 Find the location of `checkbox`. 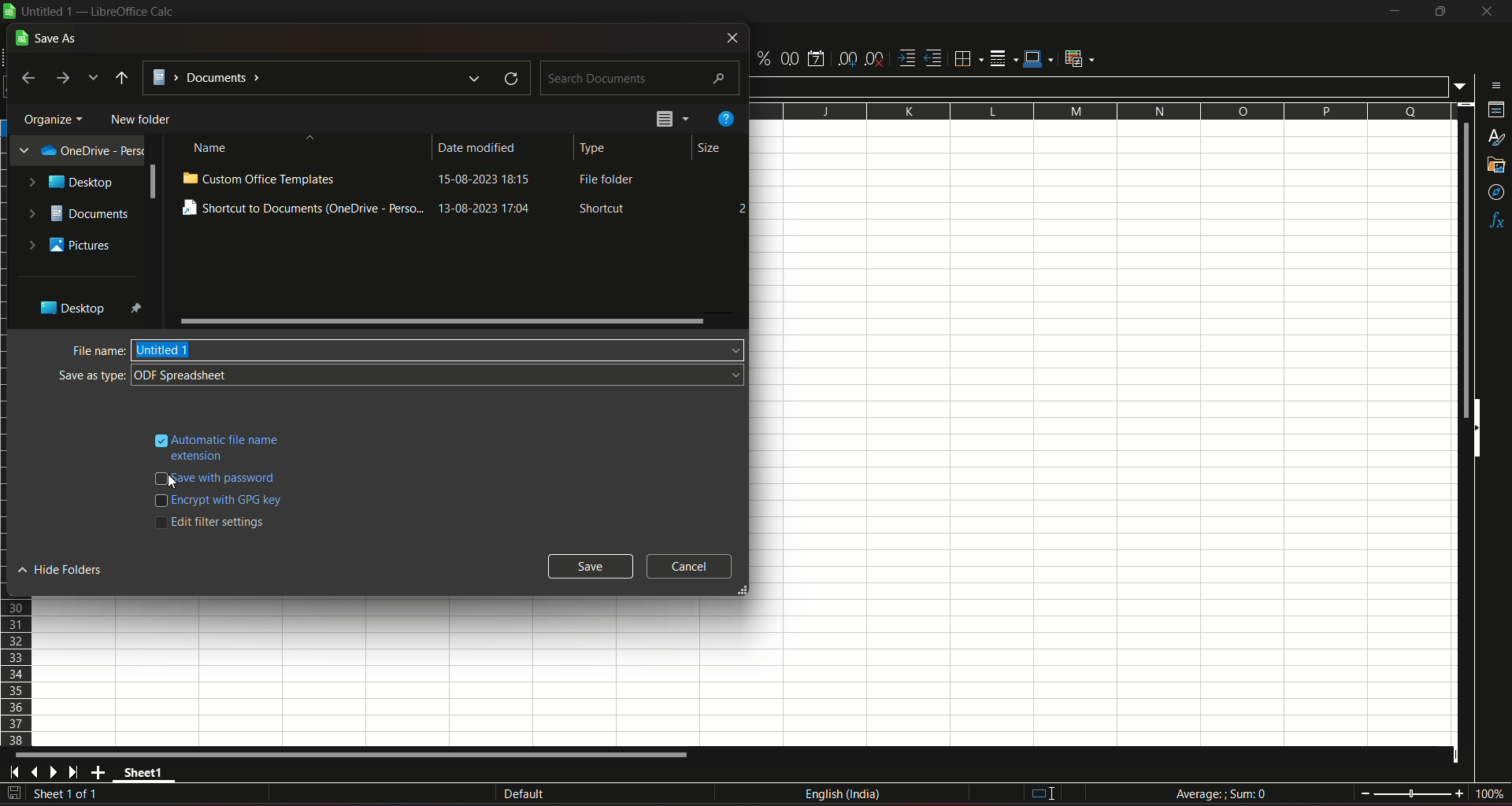

checkbox is located at coordinates (158, 502).